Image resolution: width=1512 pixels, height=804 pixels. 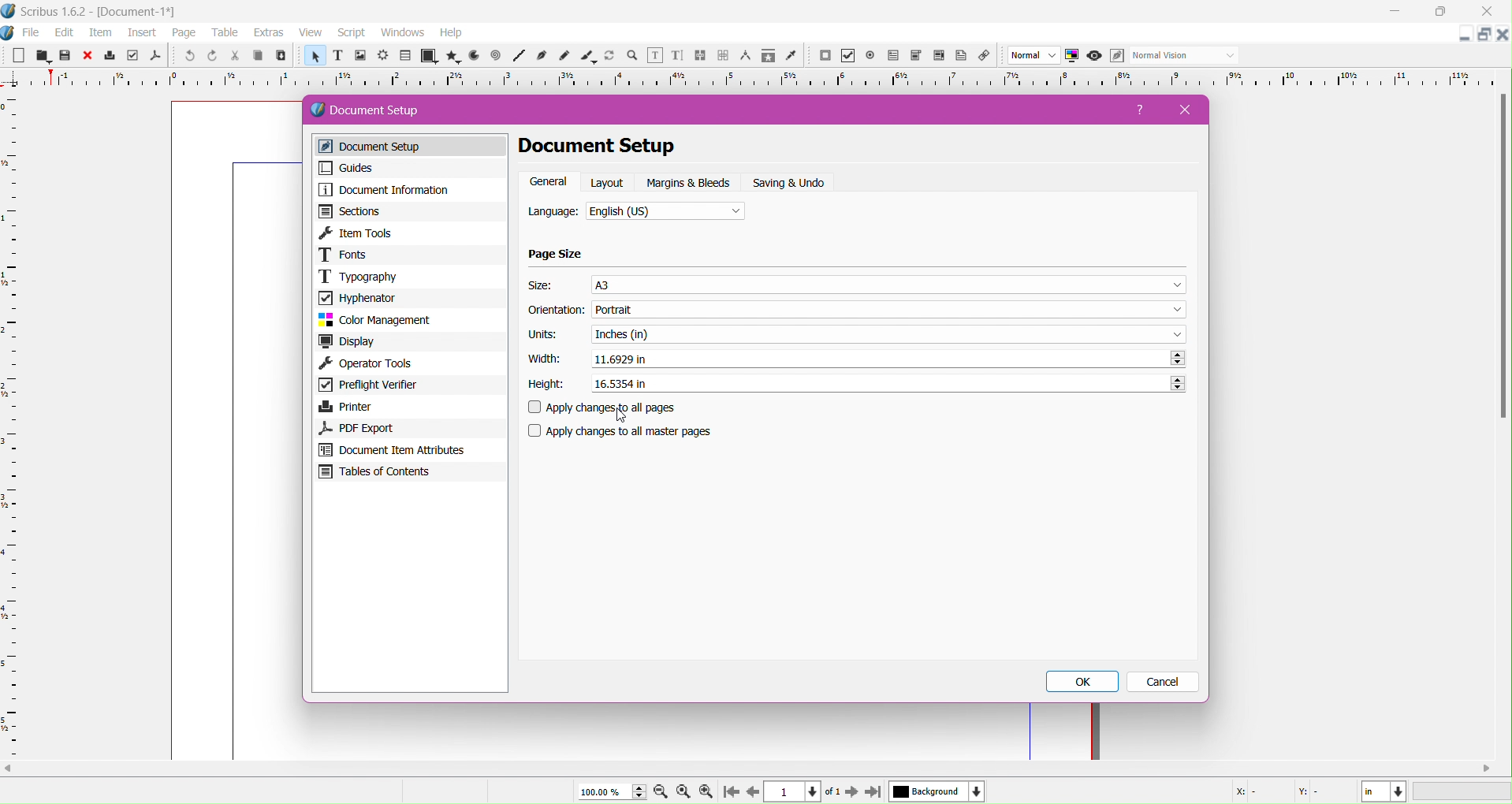 What do you see at coordinates (9, 11) in the screenshot?
I see `app icon` at bounding box center [9, 11].